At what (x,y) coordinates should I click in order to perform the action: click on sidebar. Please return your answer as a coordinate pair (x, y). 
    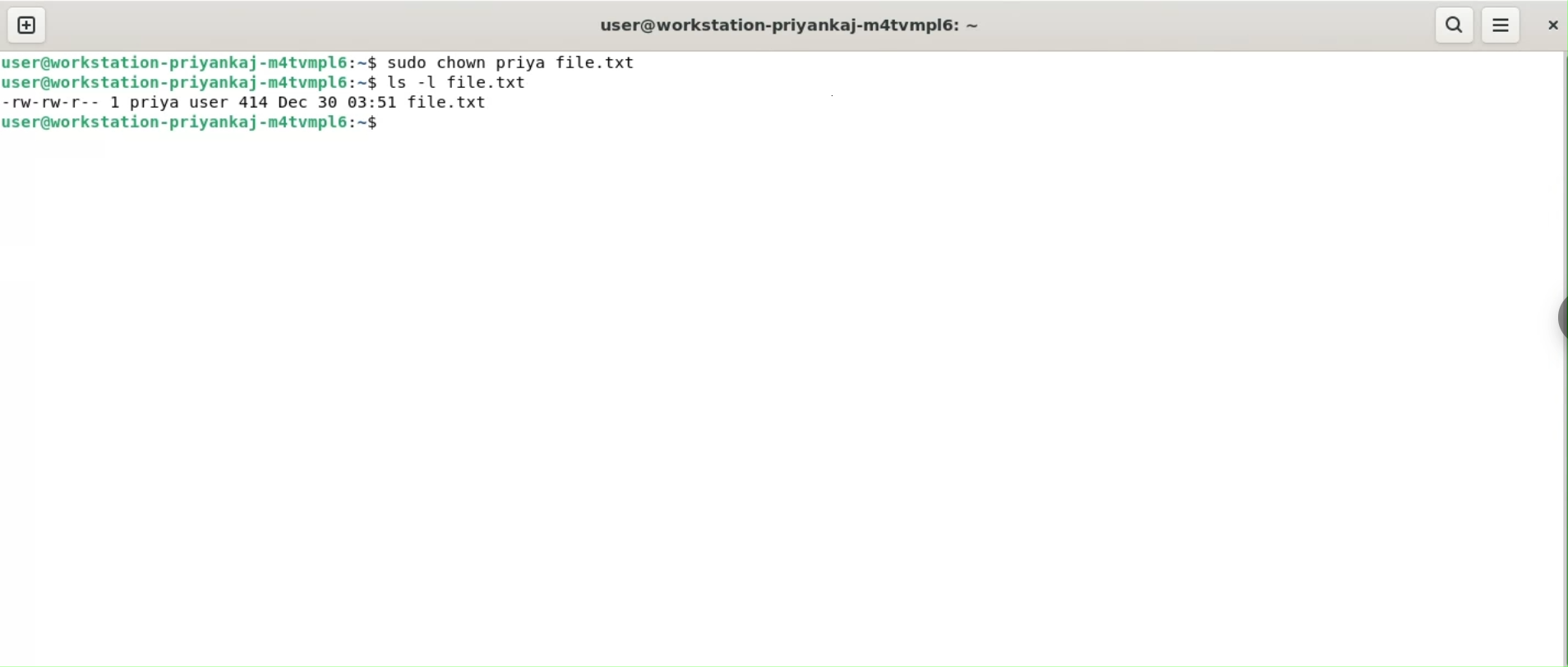
    Looking at the image, I should click on (1558, 315).